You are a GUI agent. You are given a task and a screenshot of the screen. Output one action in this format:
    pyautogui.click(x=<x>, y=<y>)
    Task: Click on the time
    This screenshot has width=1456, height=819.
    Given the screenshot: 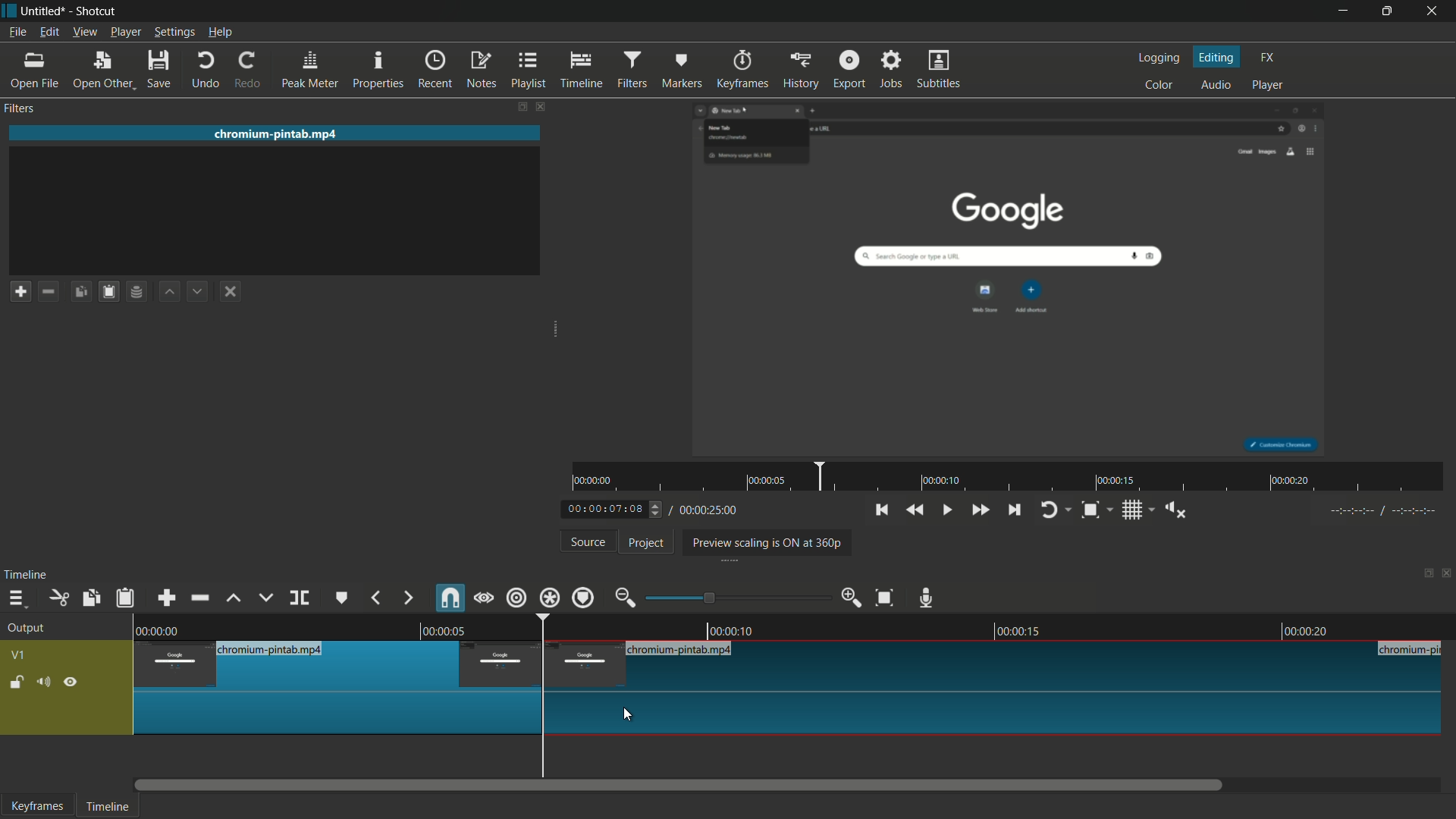 What is the action you would take?
    pyautogui.click(x=1013, y=477)
    